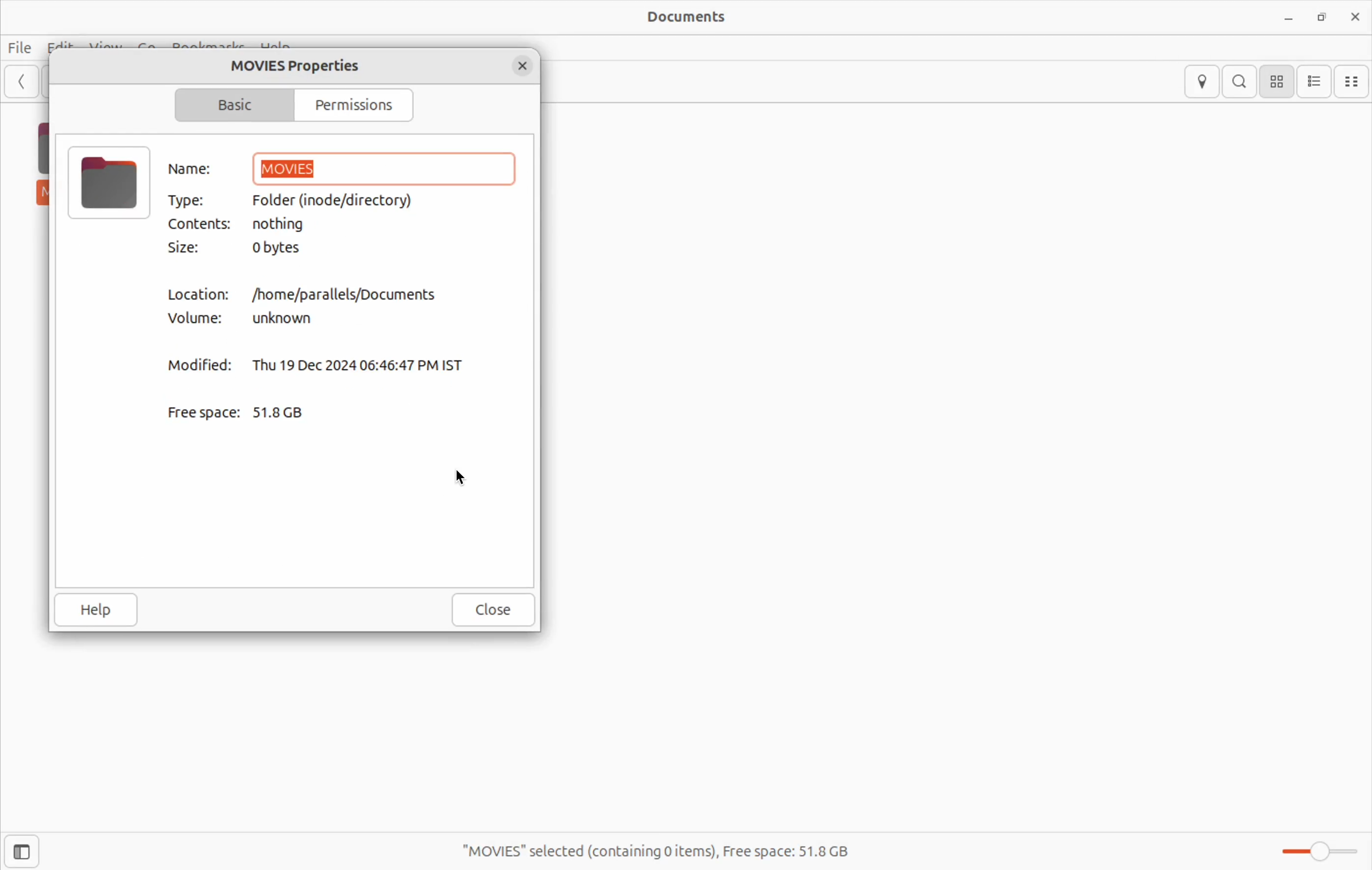  Describe the element at coordinates (20, 48) in the screenshot. I see `File` at that location.